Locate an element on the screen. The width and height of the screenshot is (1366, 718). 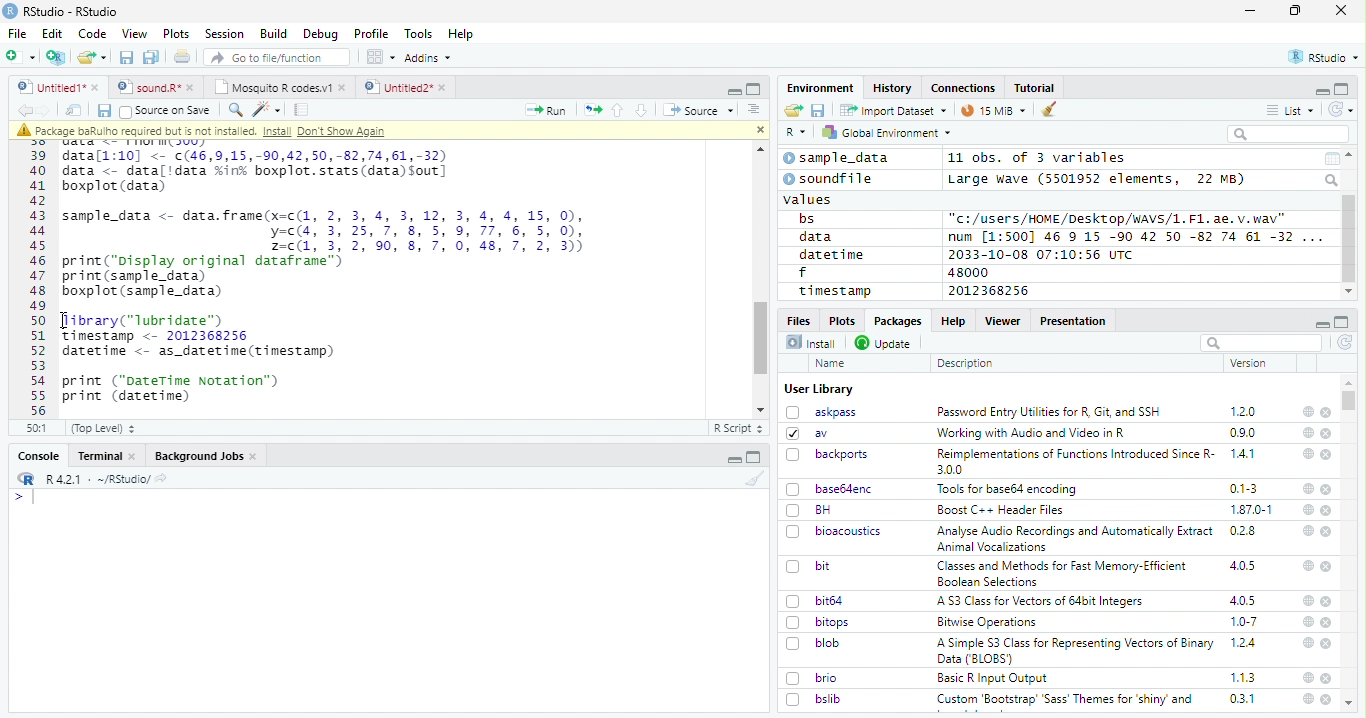
go backward is located at coordinates (25, 109).